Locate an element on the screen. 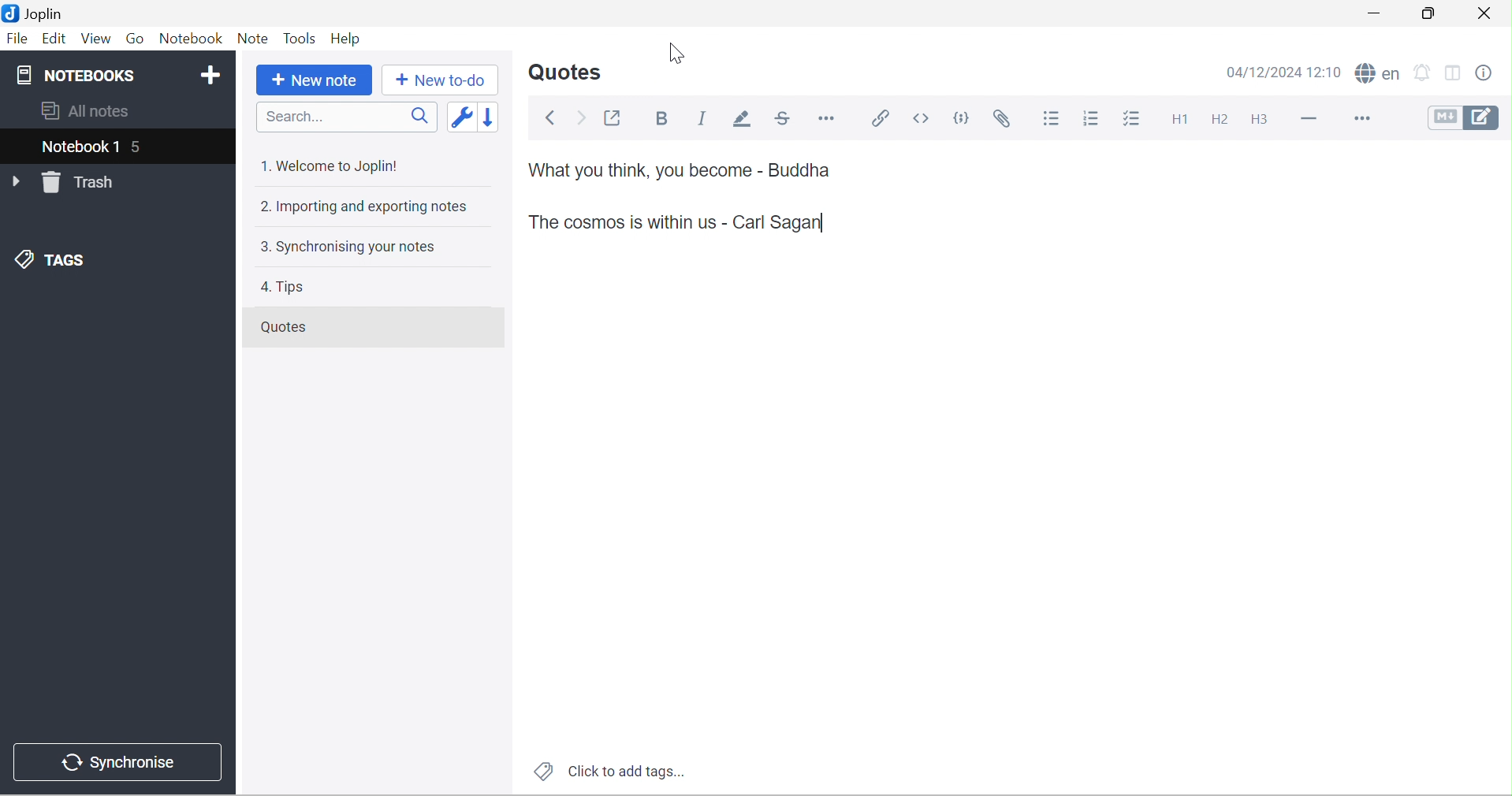 The height and width of the screenshot is (796, 1512). Inline code is located at coordinates (925, 118).